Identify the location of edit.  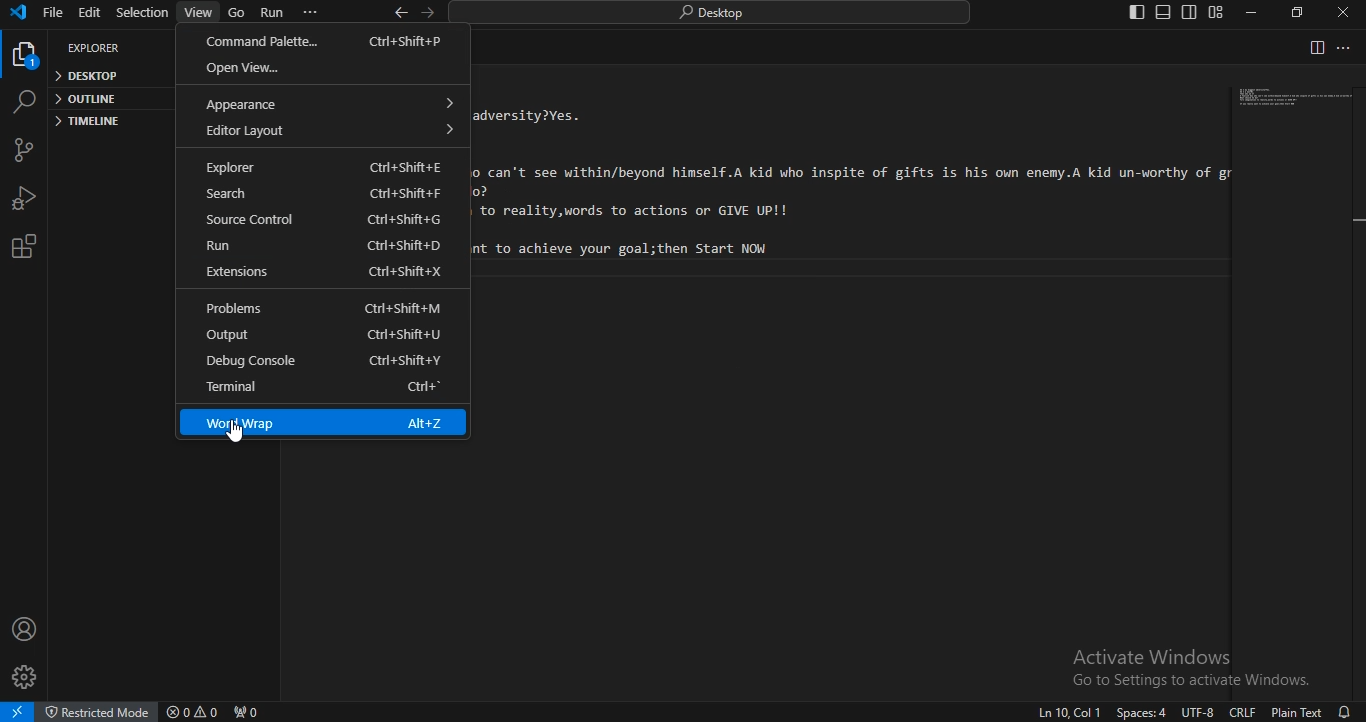
(89, 14).